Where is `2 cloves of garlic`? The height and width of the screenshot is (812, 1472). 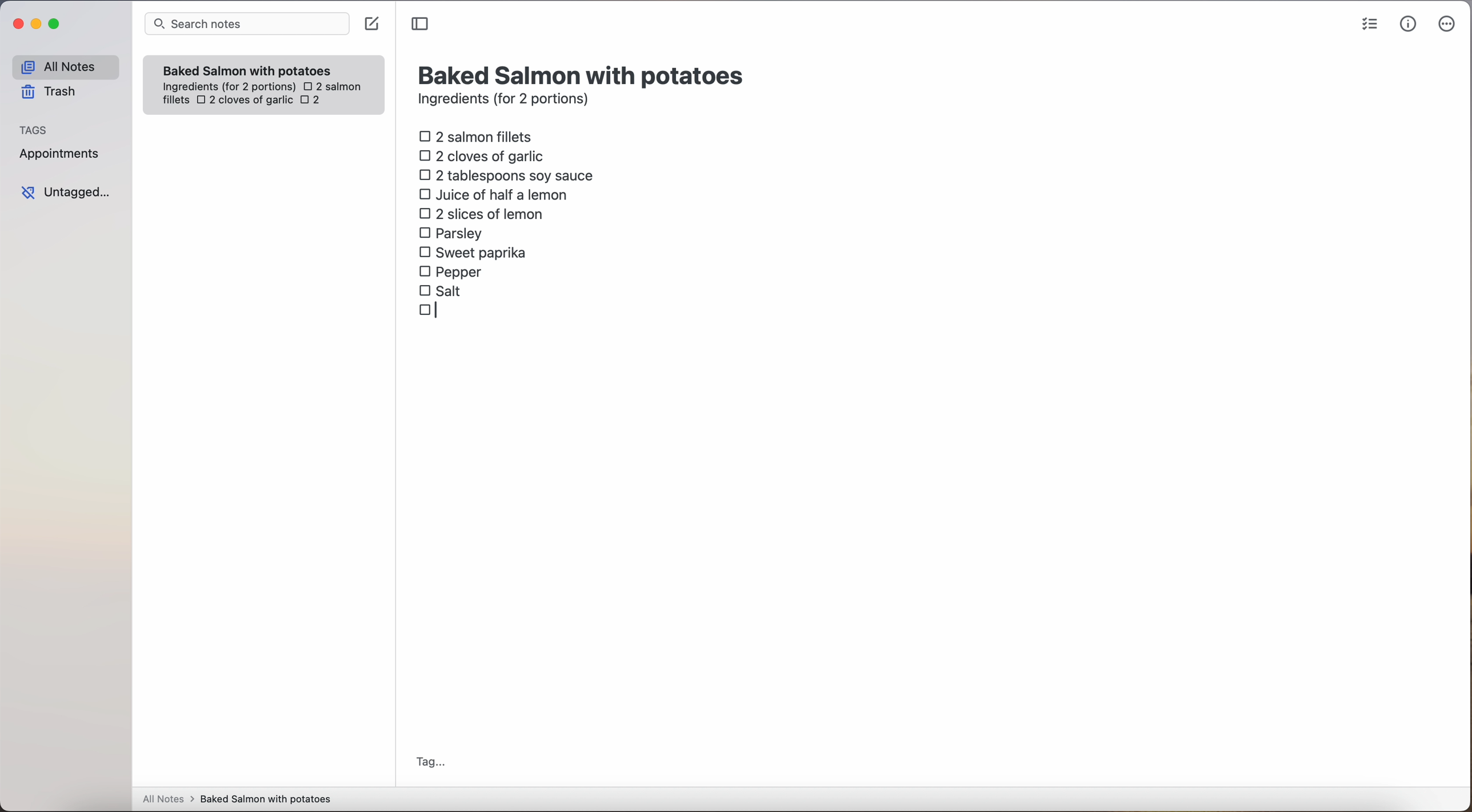
2 cloves of garlic is located at coordinates (485, 154).